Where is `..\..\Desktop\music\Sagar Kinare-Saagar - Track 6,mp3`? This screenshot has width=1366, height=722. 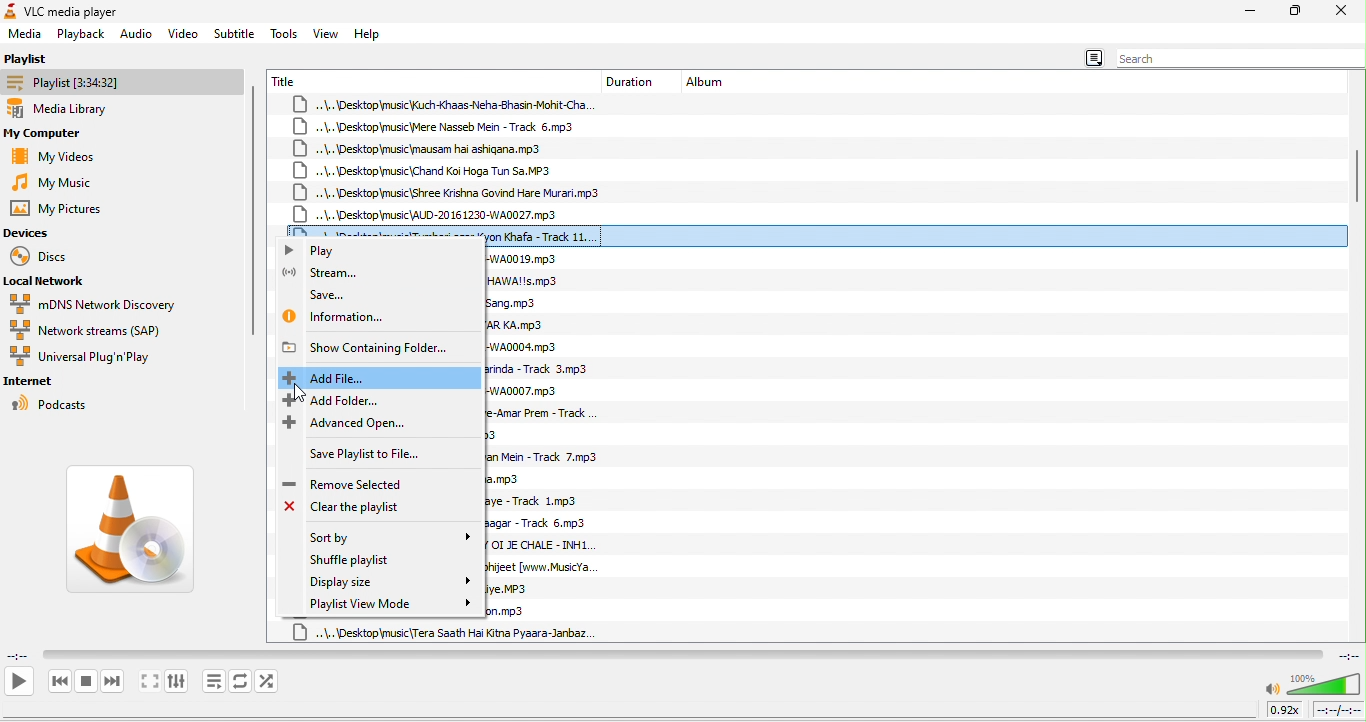
..\..\Desktop\music\Sagar Kinare-Saagar - Track 6,mp3 is located at coordinates (544, 524).